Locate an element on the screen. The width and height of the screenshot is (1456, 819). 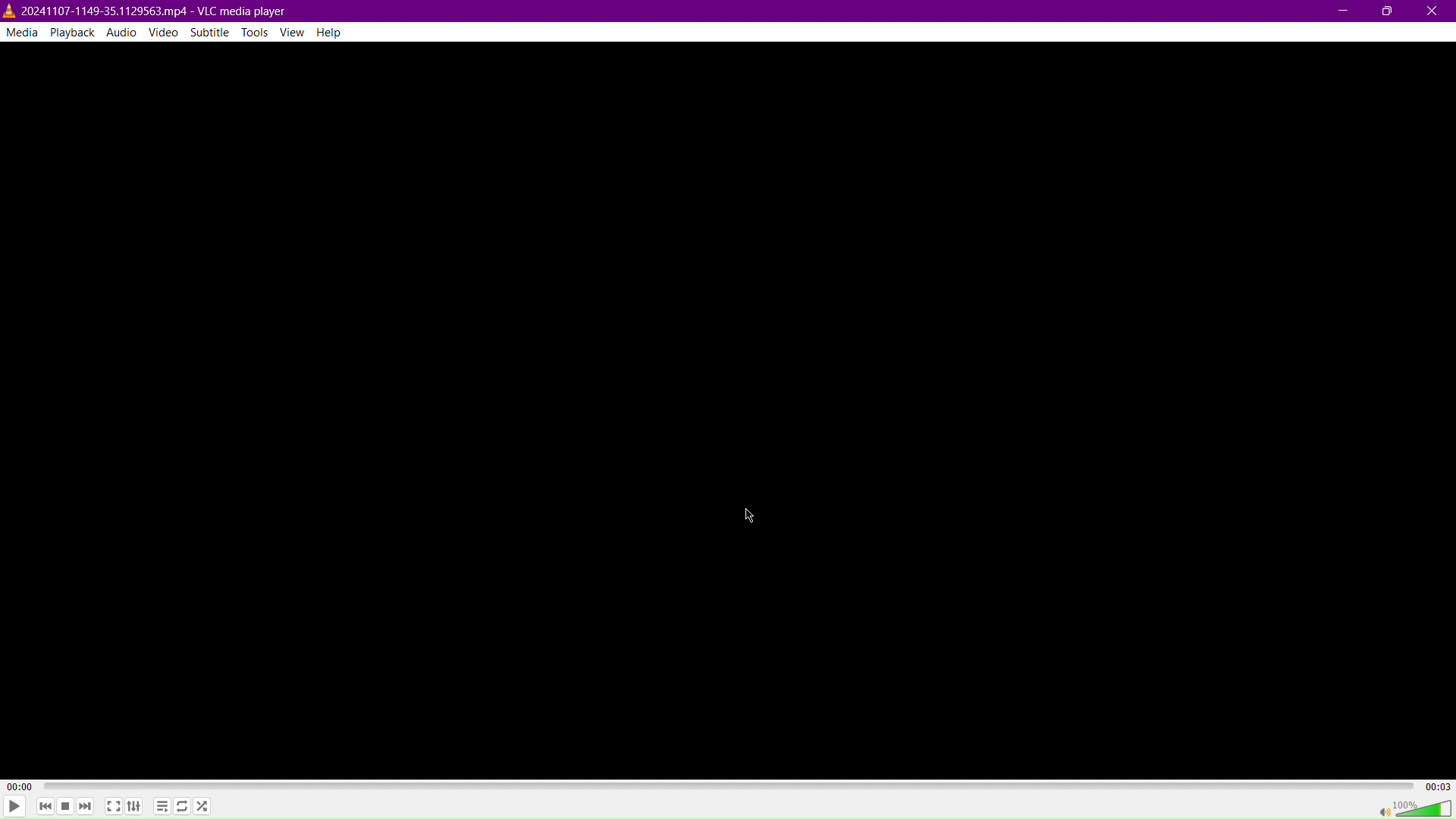
Skip Back is located at coordinates (44, 807).